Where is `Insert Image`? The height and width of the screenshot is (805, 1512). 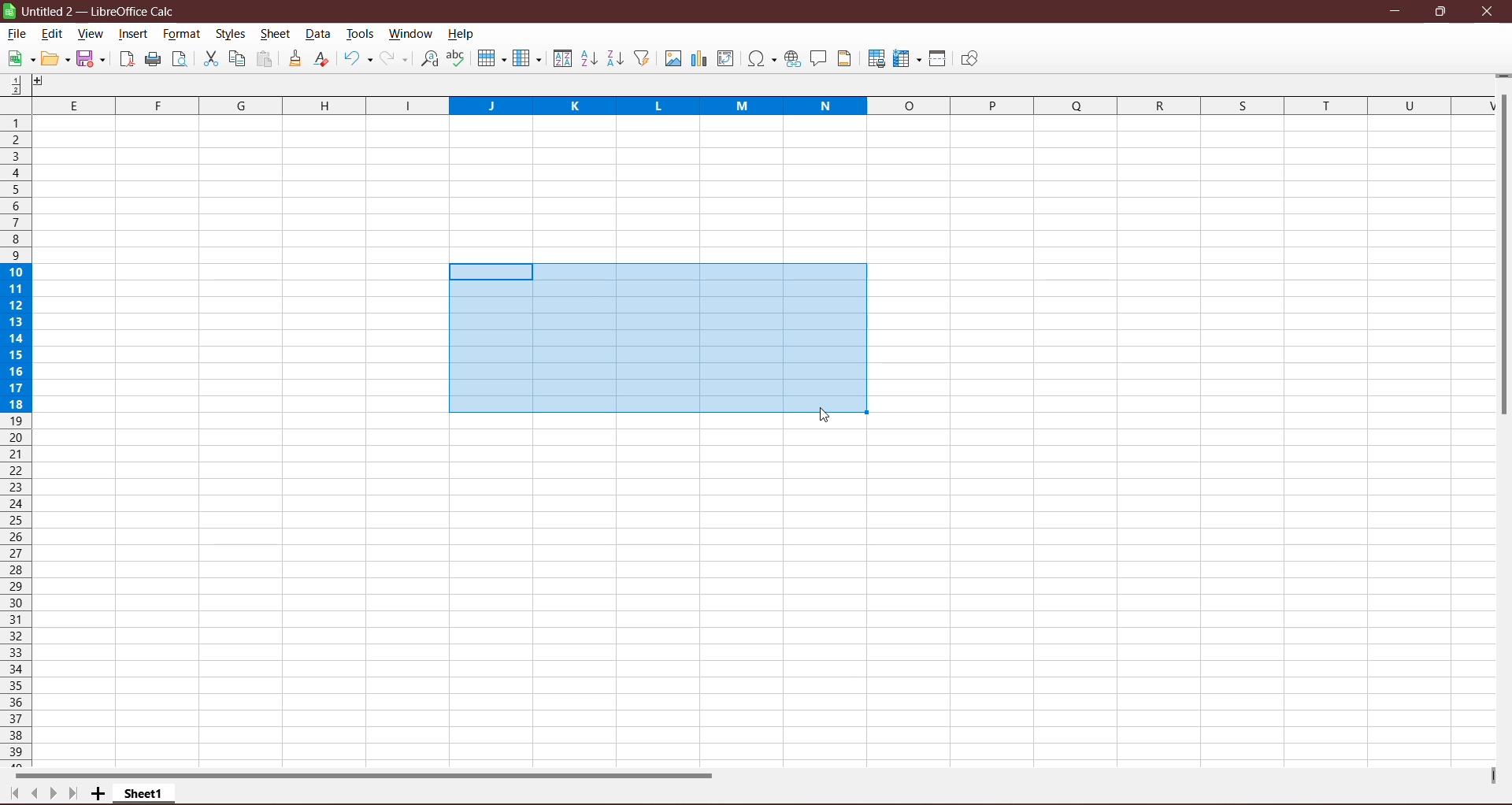
Insert Image is located at coordinates (672, 59).